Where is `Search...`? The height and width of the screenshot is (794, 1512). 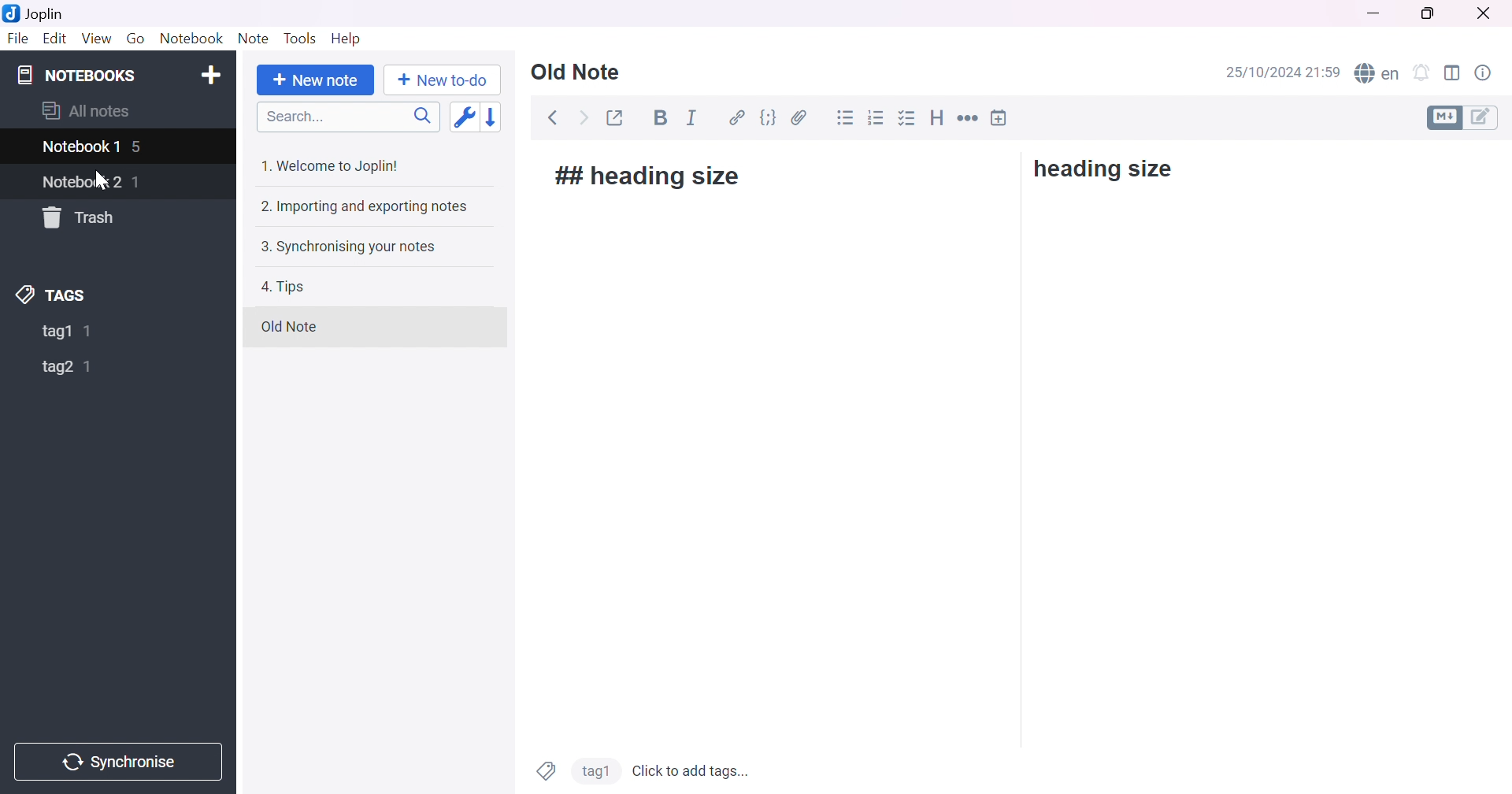 Search... is located at coordinates (291, 118).